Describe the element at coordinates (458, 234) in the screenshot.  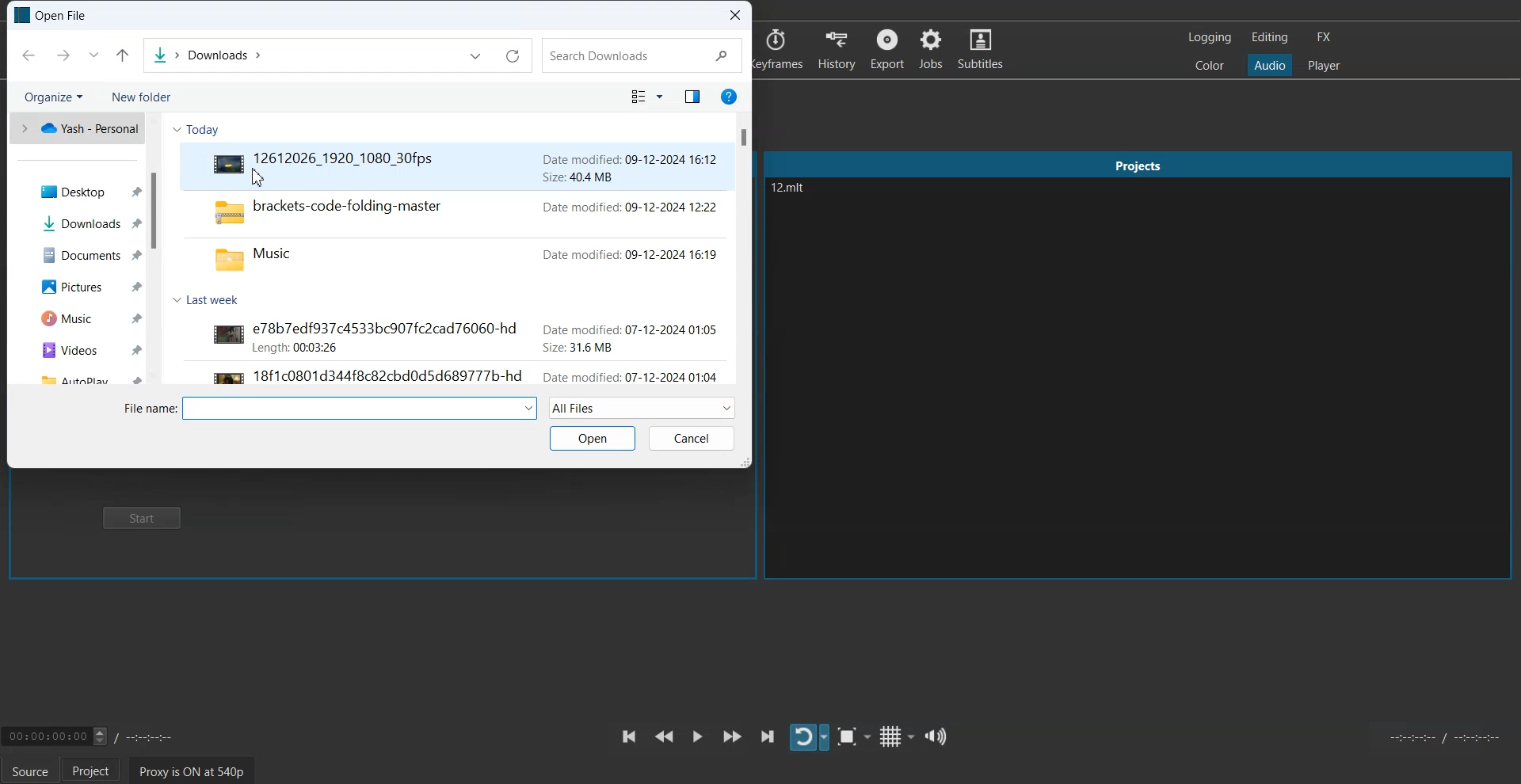
I see `Files` at that location.